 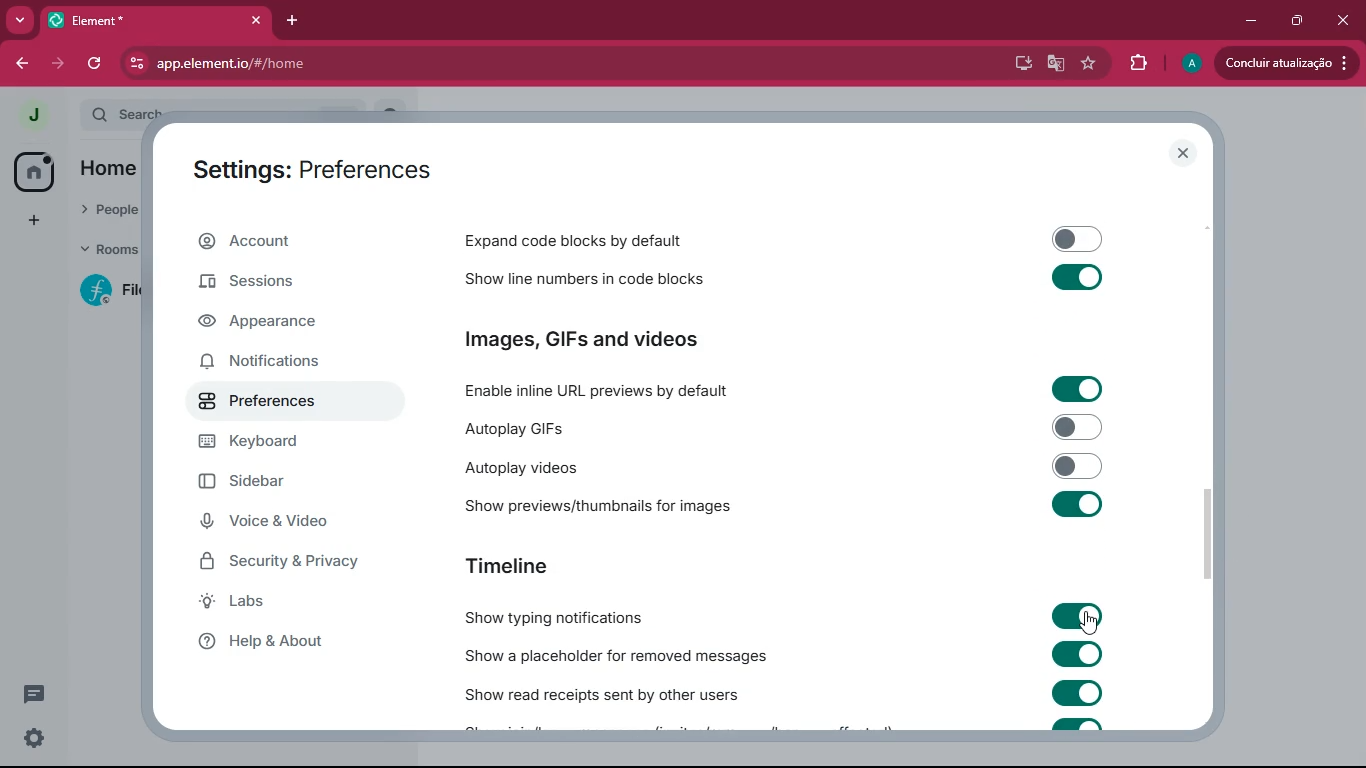 What do you see at coordinates (1250, 22) in the screenshot?
I see `minimize` at bounding box center [1250, 22].